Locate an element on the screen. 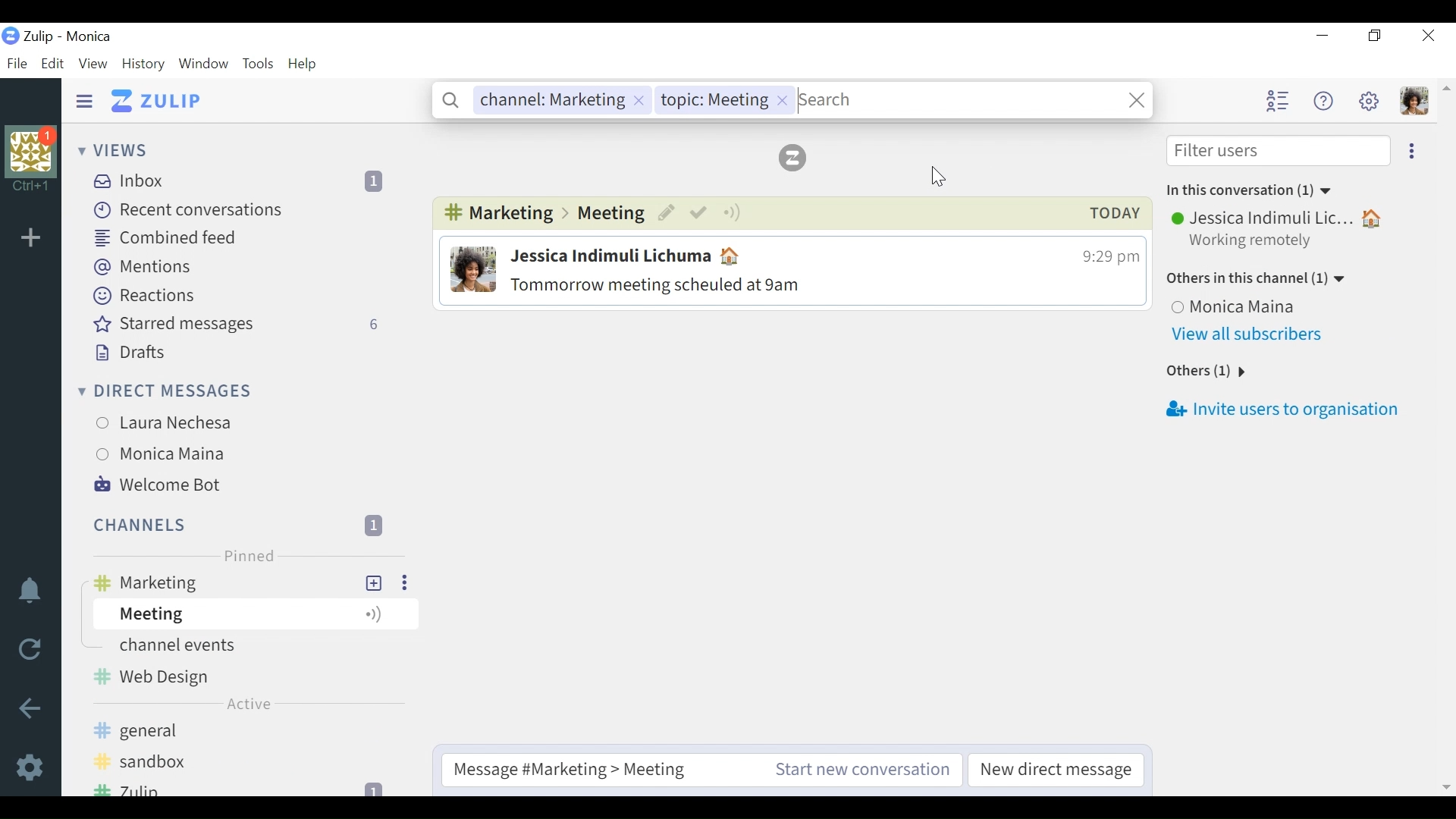  Time is located at coordinates (1103, 257).